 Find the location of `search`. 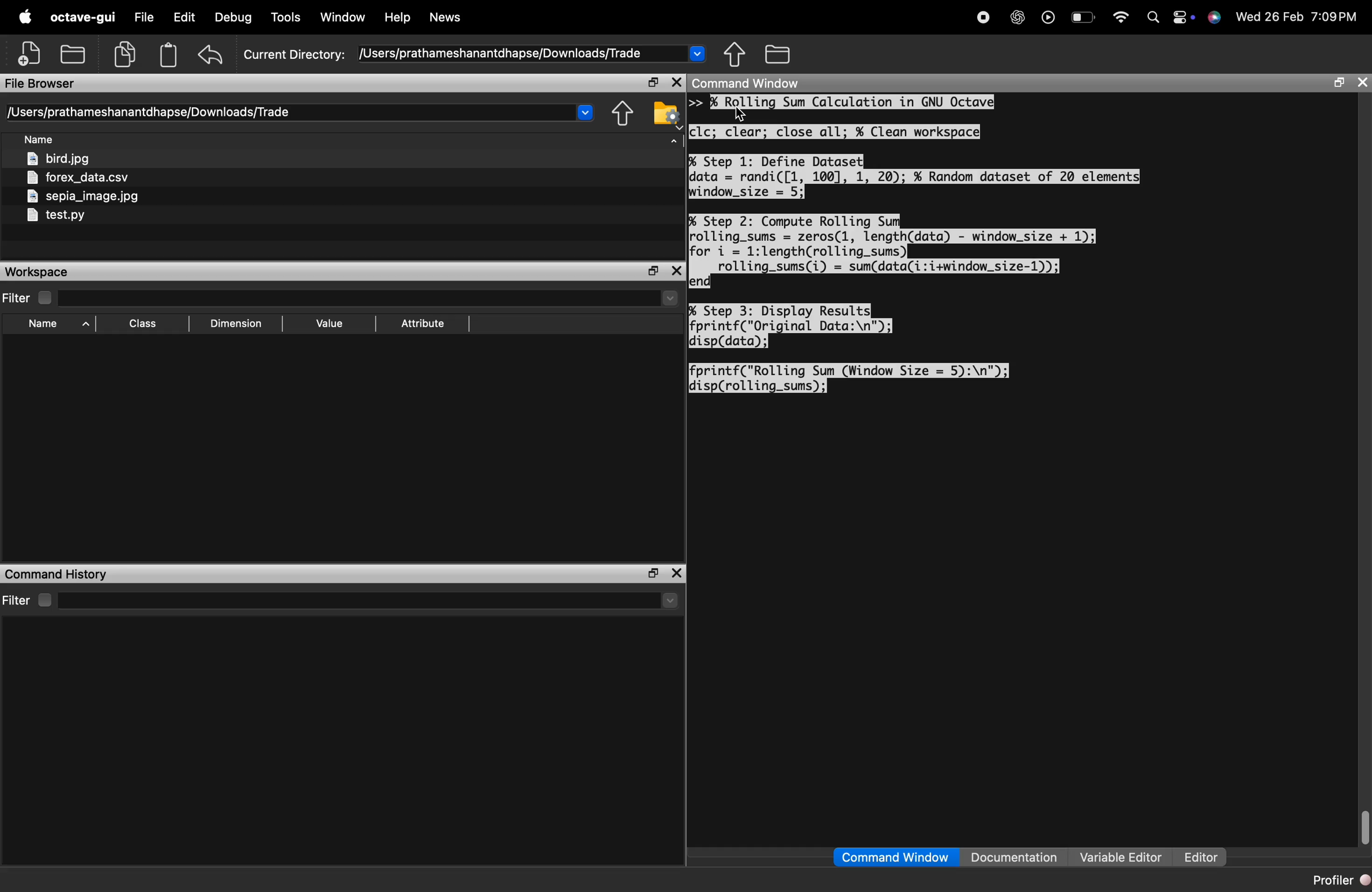

search is located at coordinates (1154, 18).